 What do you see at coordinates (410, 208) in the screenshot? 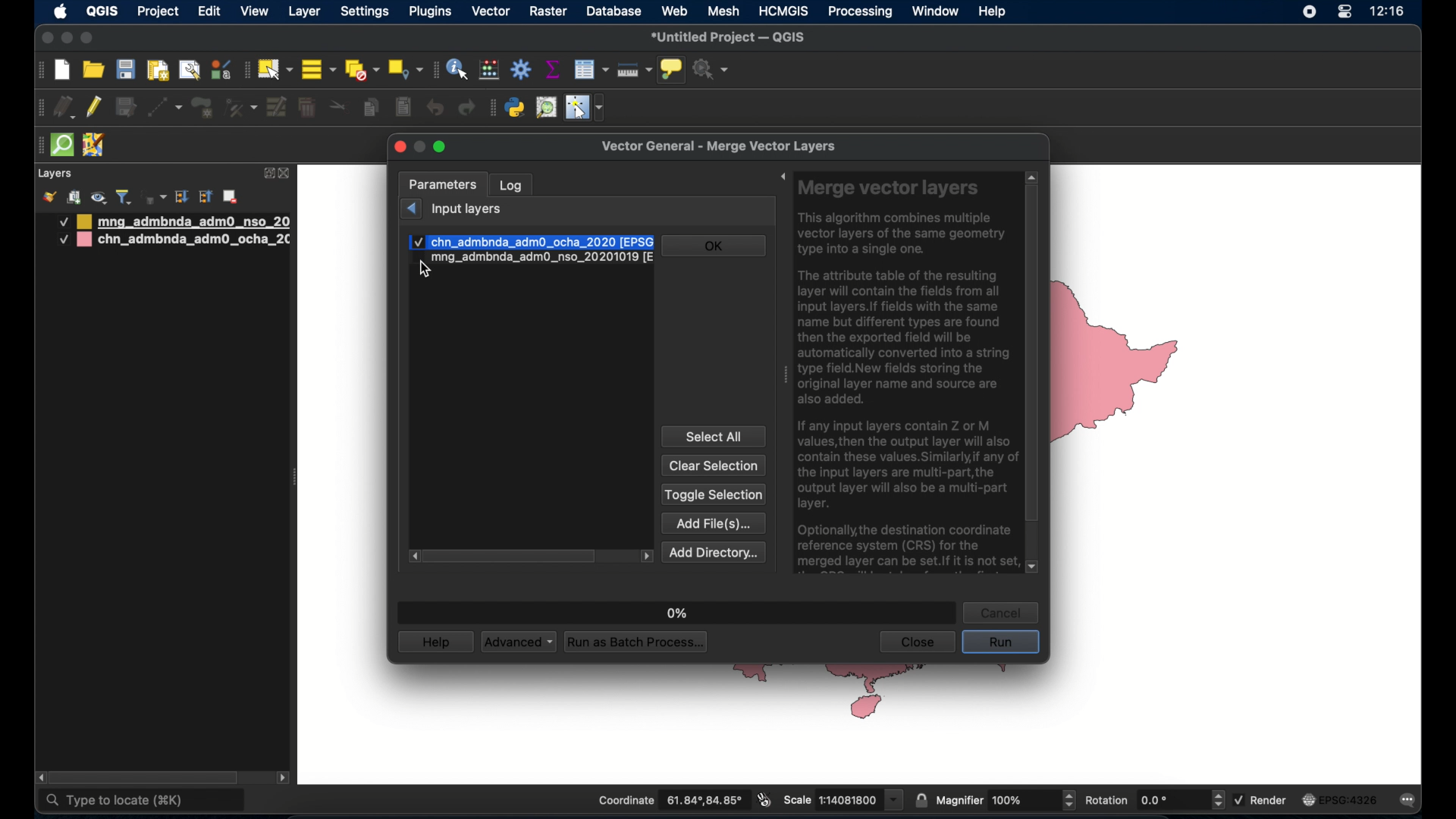
I see `previous` at bounding box center [410, 208].